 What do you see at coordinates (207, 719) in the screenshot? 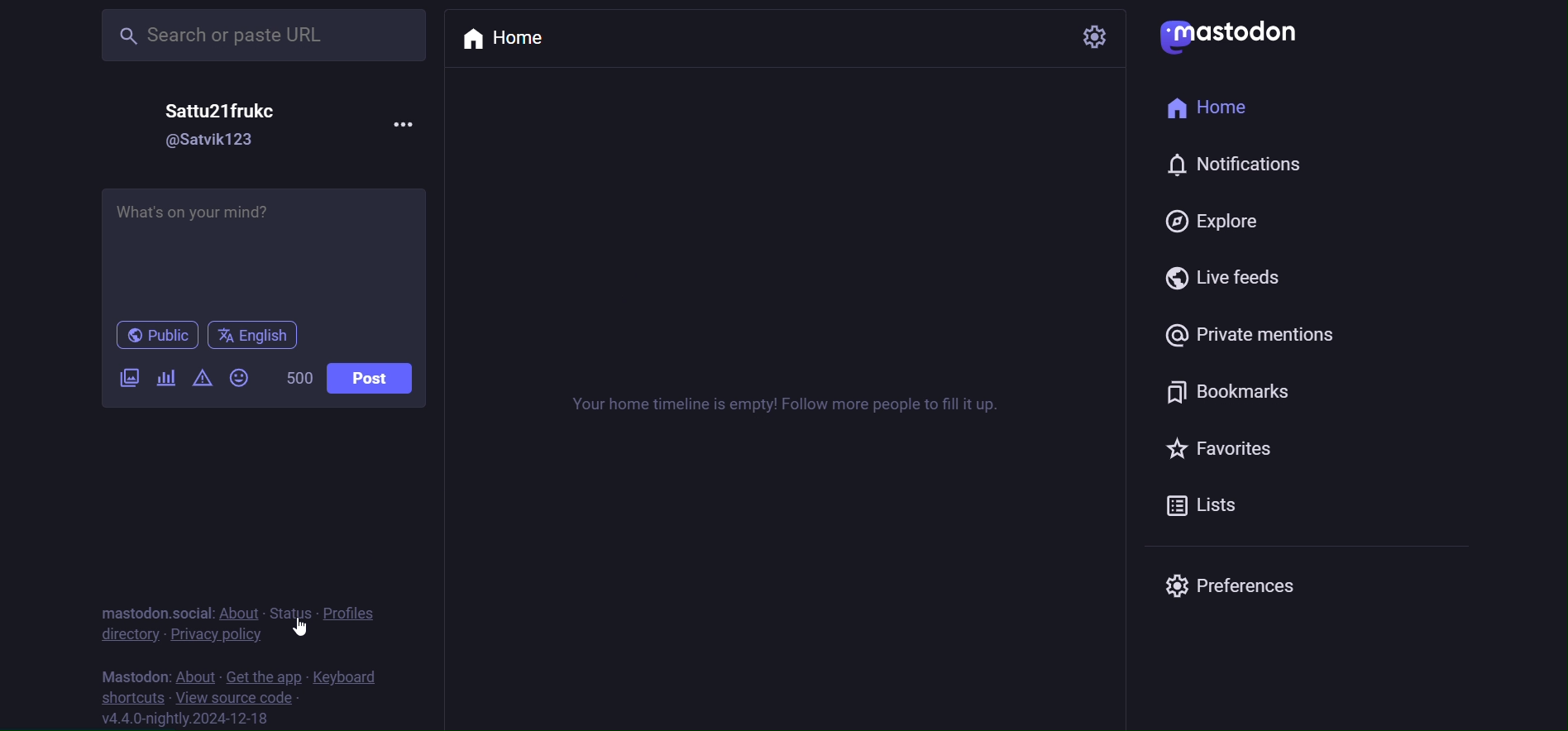
I see `version` at bounding box center [207, 719].